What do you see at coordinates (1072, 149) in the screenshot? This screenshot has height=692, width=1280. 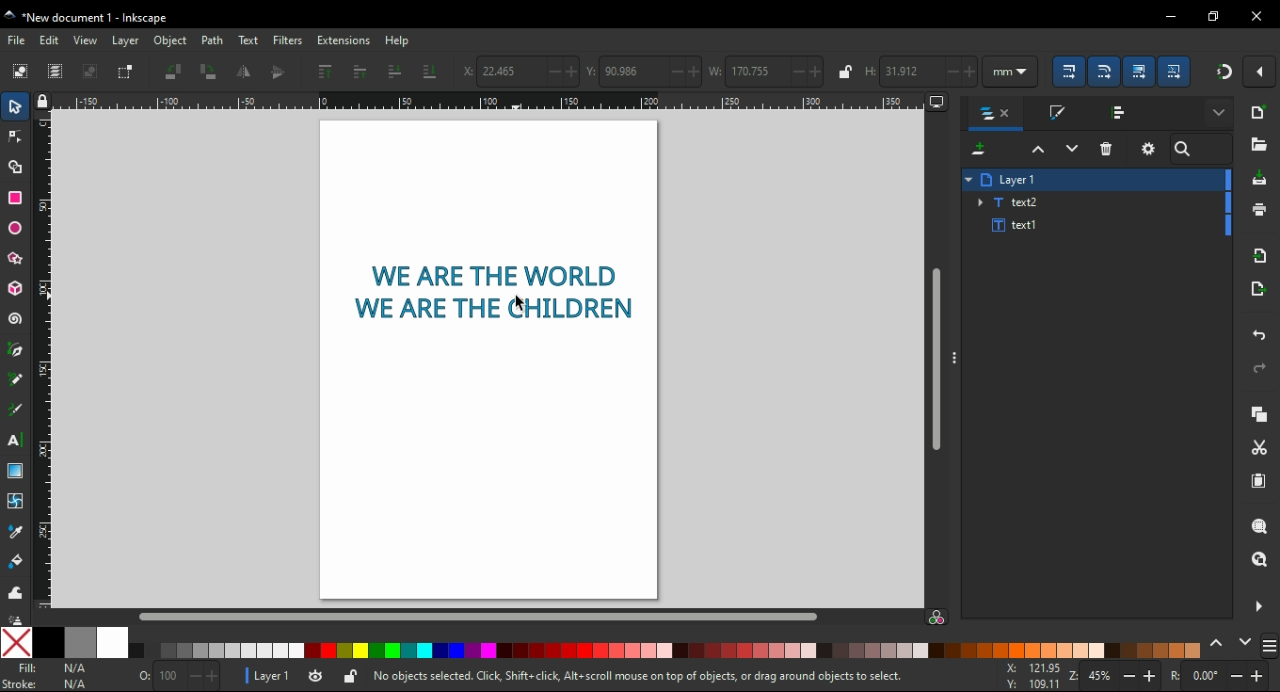 I see `lower selection one step` at bounding box center [1072, 149].